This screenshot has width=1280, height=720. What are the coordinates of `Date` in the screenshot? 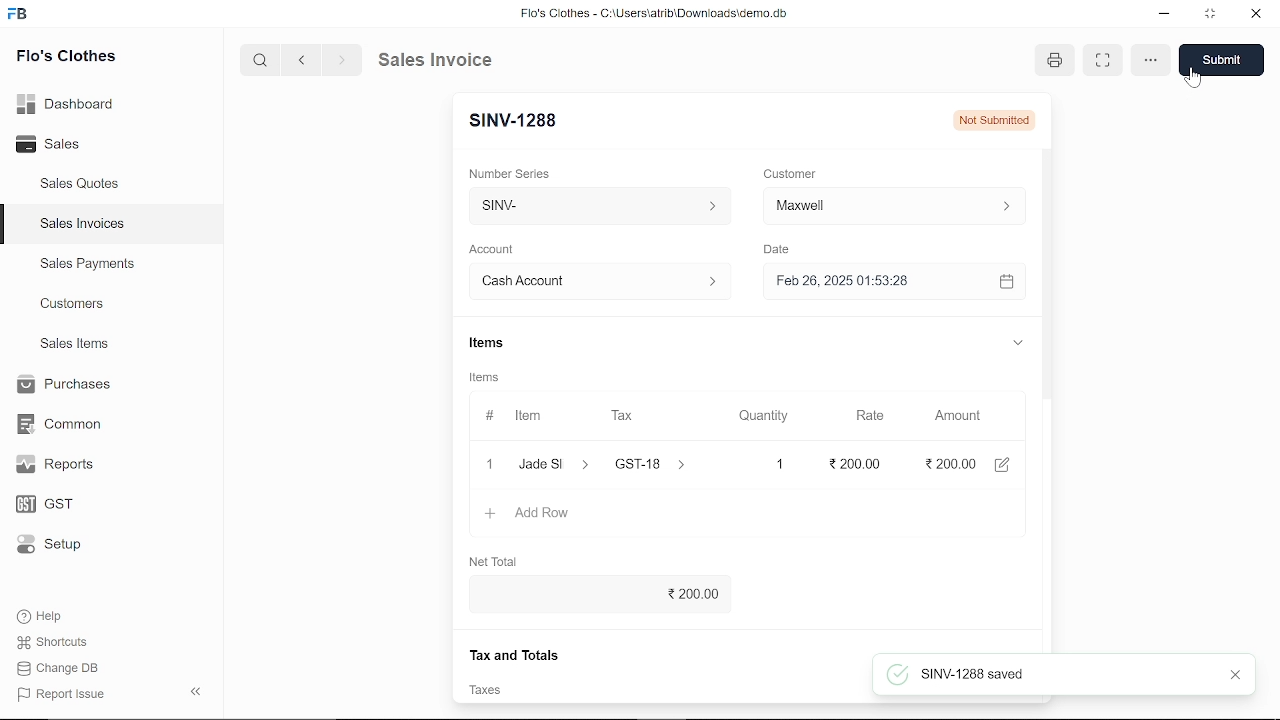 It's located at (776, 250).